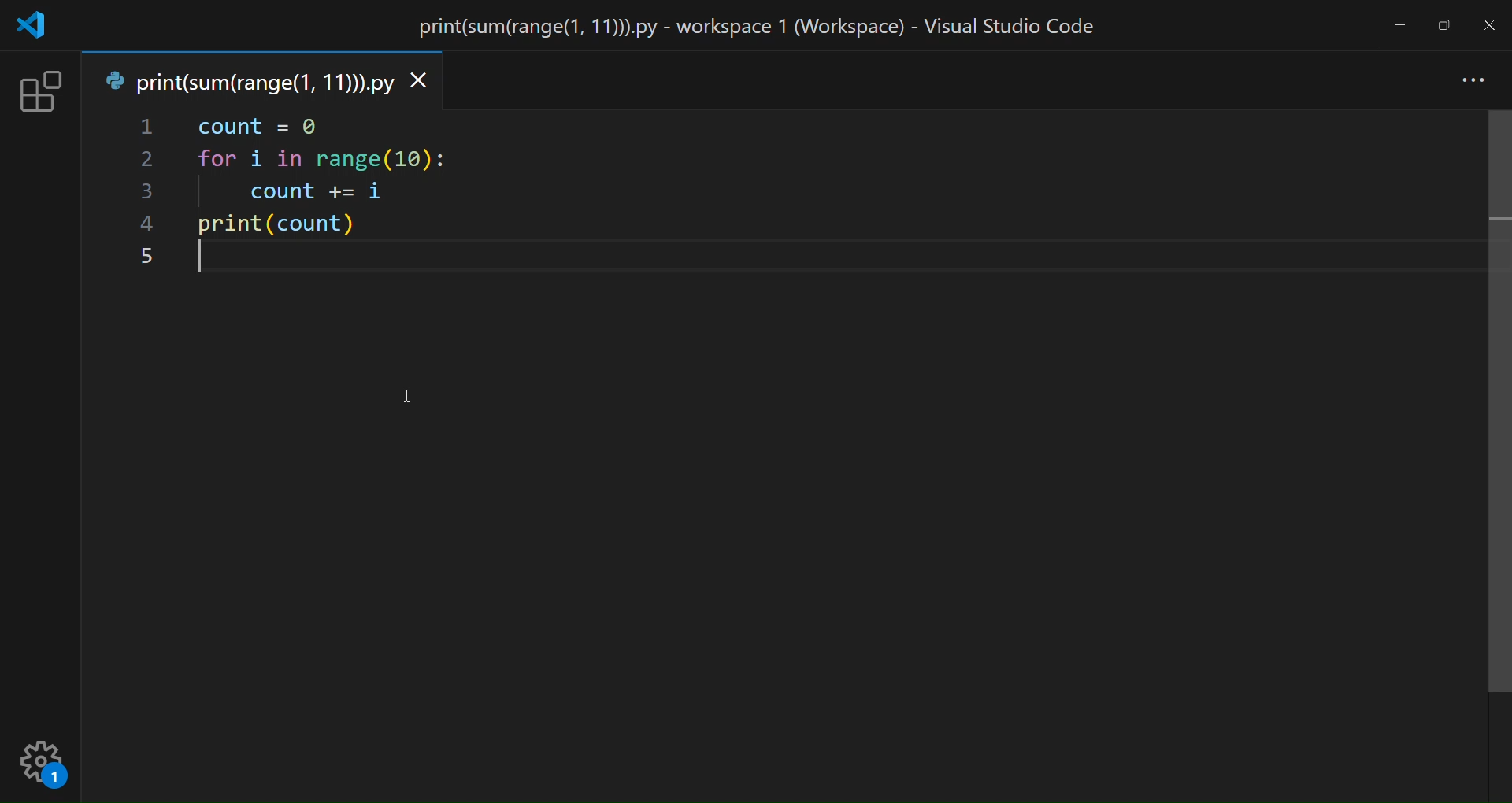 This screenshot has height=803, width=1512. What do you see at coordinates (425, 82) in the screenshot?
I see `close tab` at bounding box center [425, 82].